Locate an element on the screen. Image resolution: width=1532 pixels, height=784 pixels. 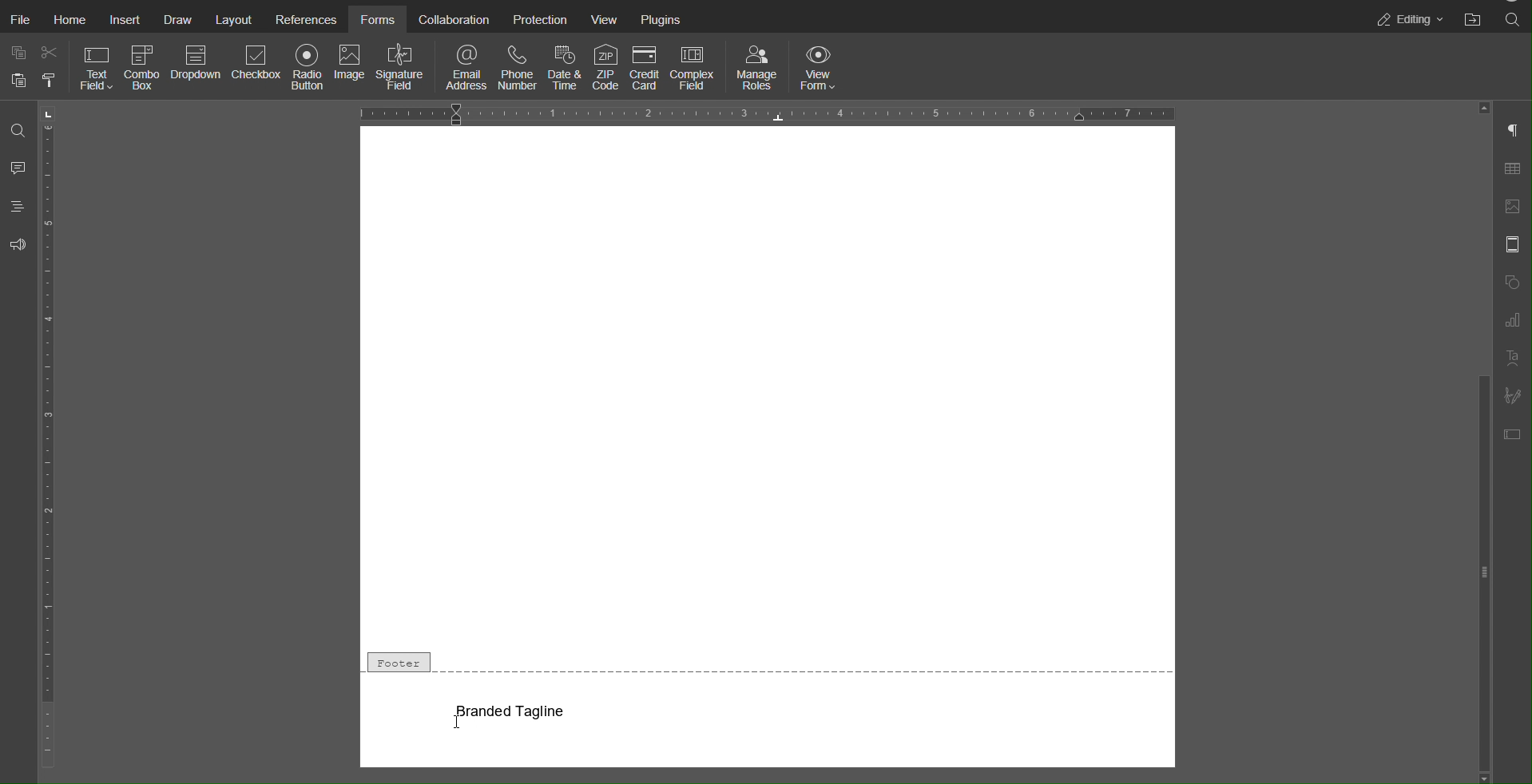
paste is located at coordinates (17, 85).